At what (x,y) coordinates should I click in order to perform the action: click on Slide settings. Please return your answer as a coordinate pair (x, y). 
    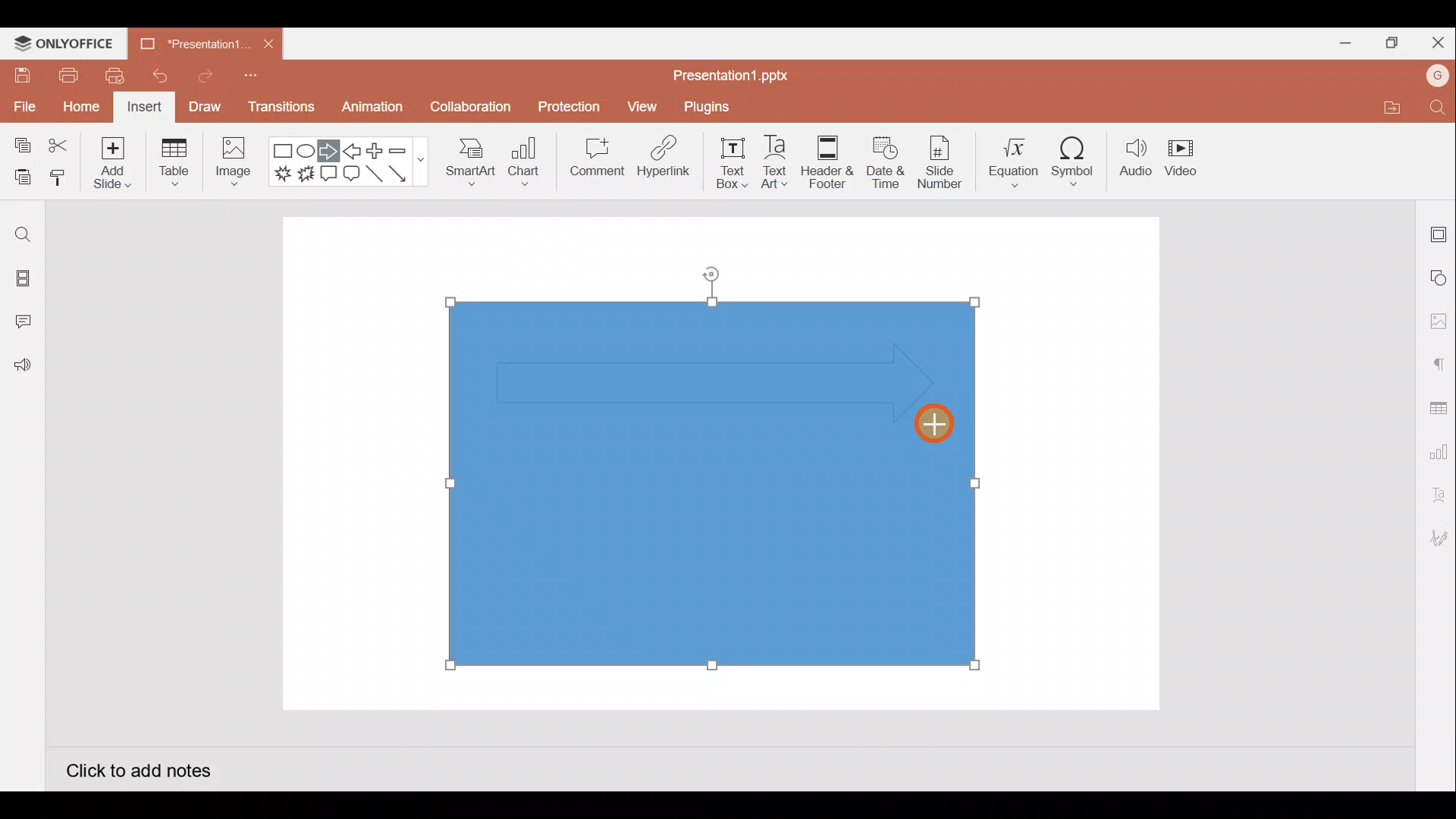
    Looking at the image, I should click on (1439, 231).